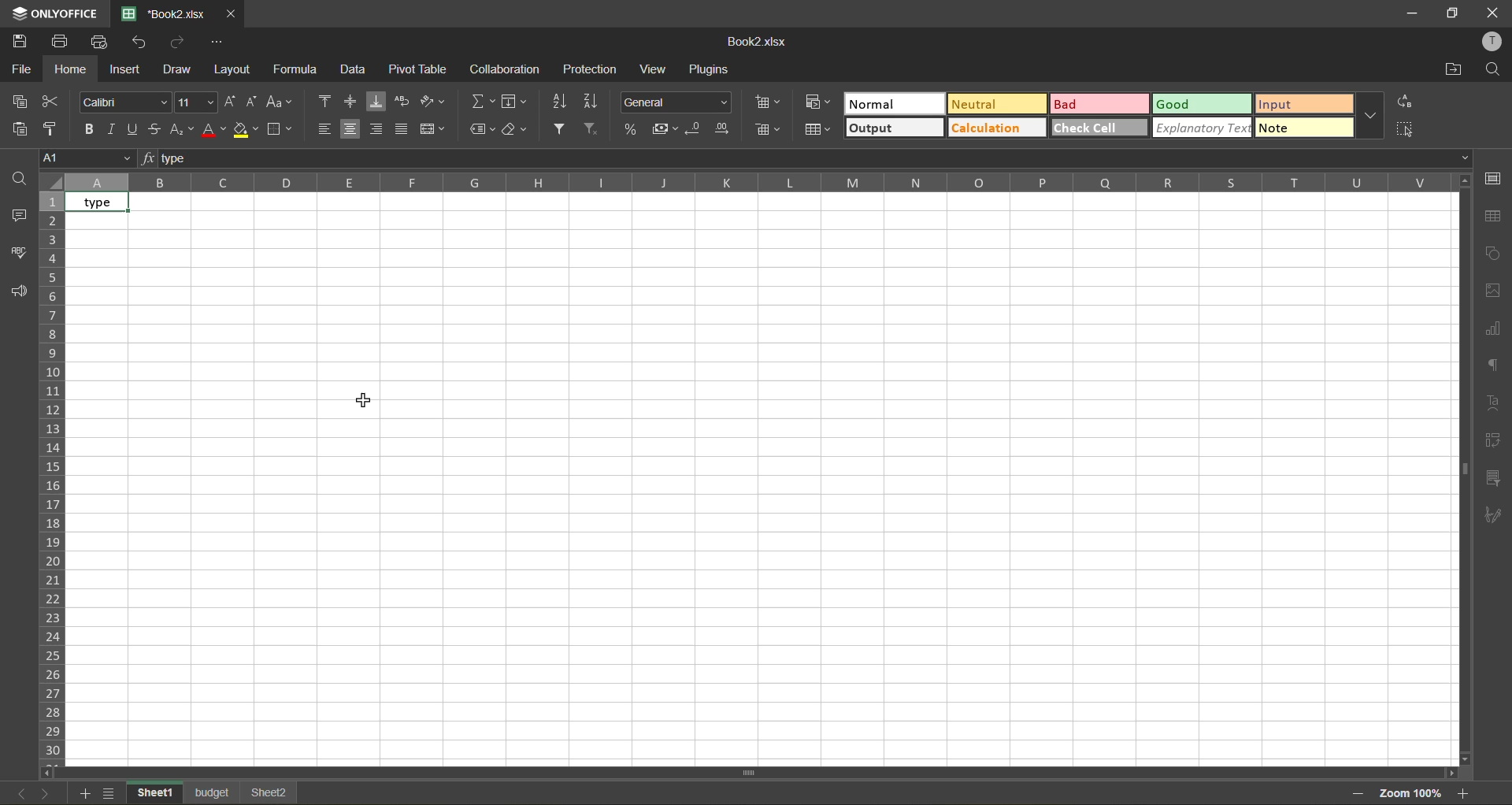 Image resolution: width=1512 pixels, height=805 pixels. Describe the element at coordinates (483, 100) in the screenshot. I see `summation` at that location.